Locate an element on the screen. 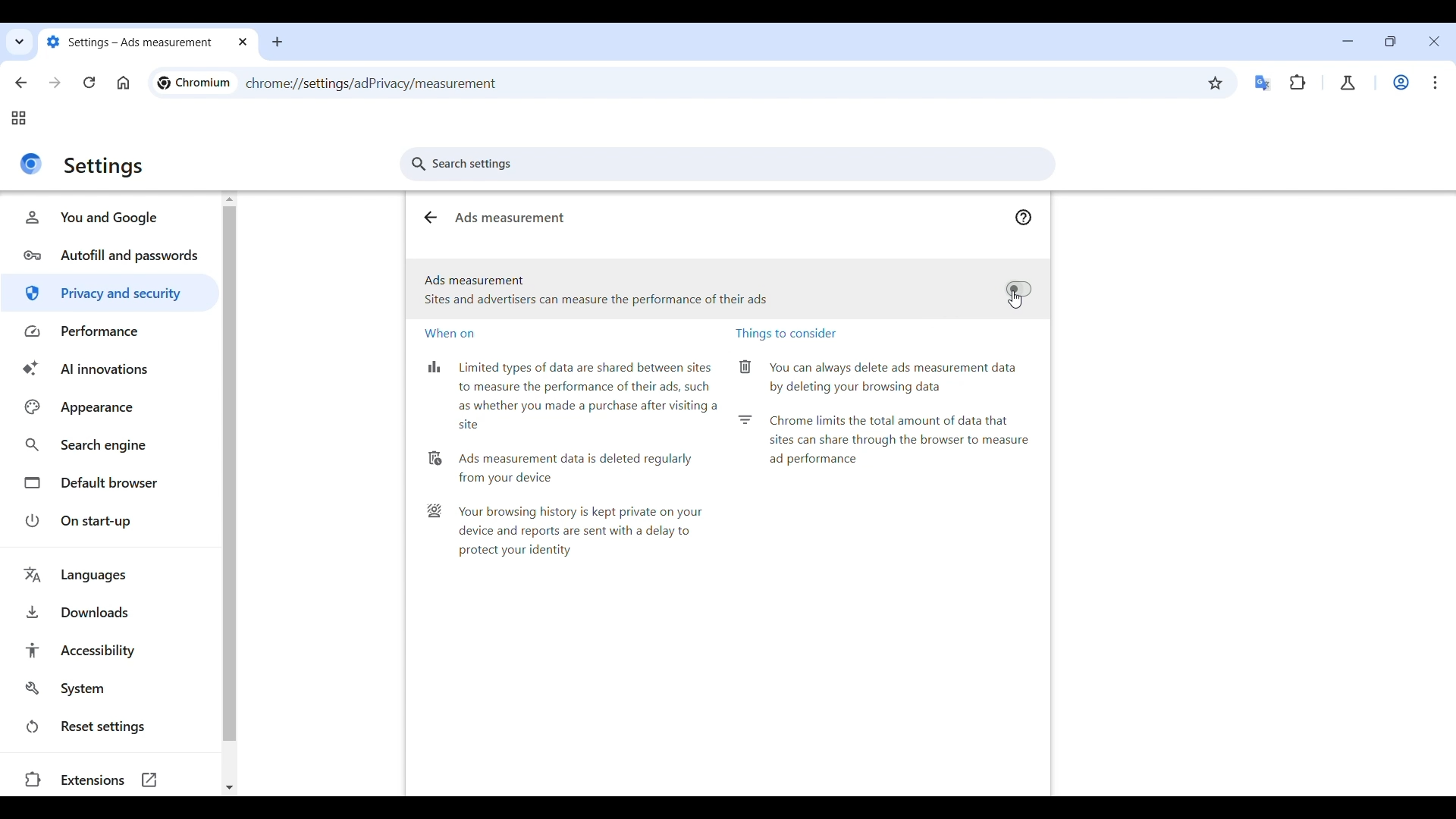  You can always delete ads measurement data
by deleting your browsing data is located at coordinates (880, 378).